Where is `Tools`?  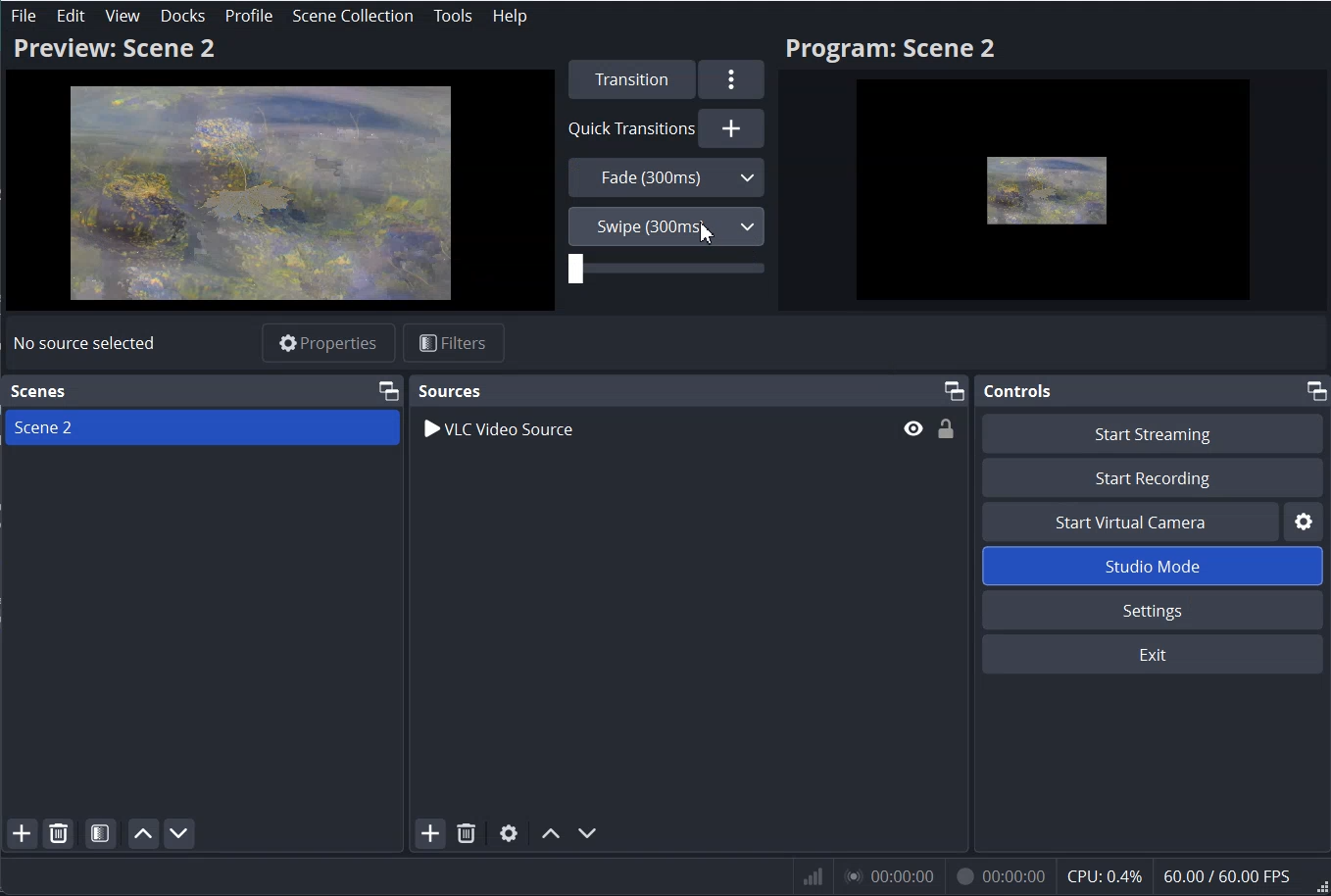 Tools is located at coordinates (453, 16).